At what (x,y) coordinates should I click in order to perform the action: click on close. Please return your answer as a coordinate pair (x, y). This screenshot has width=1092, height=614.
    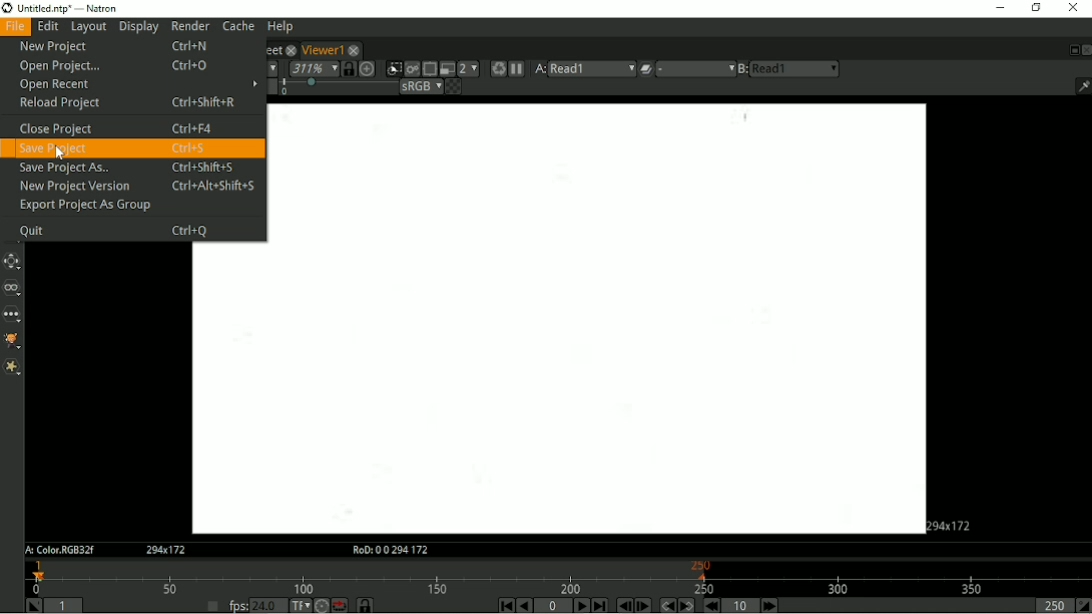
    Looking at the image, I should click on (290, 51).